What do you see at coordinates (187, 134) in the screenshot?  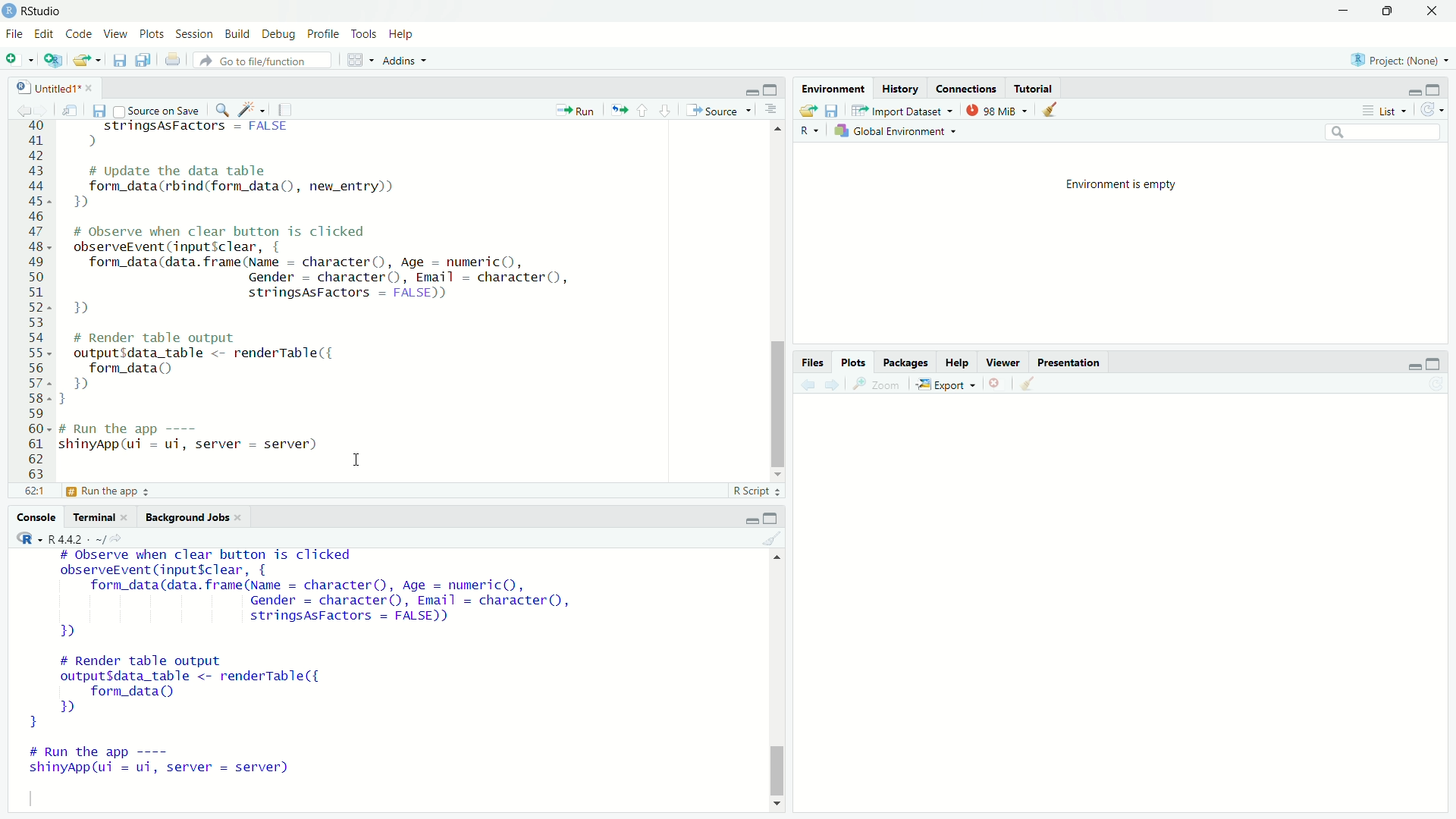 I see `string code` at bounding box center [187, 134].